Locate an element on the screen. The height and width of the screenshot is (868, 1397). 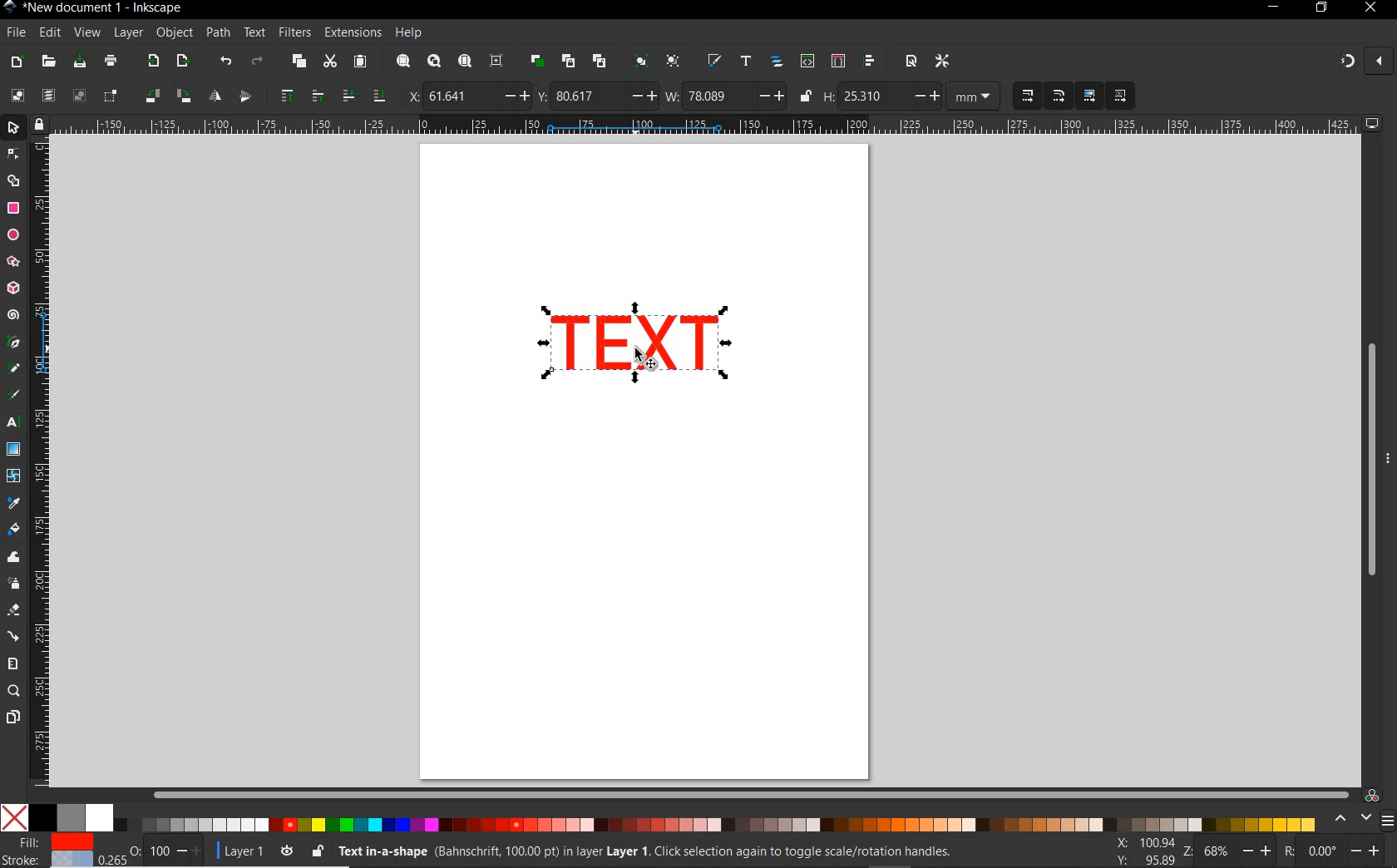
open export is located at coordinates (182, 62).